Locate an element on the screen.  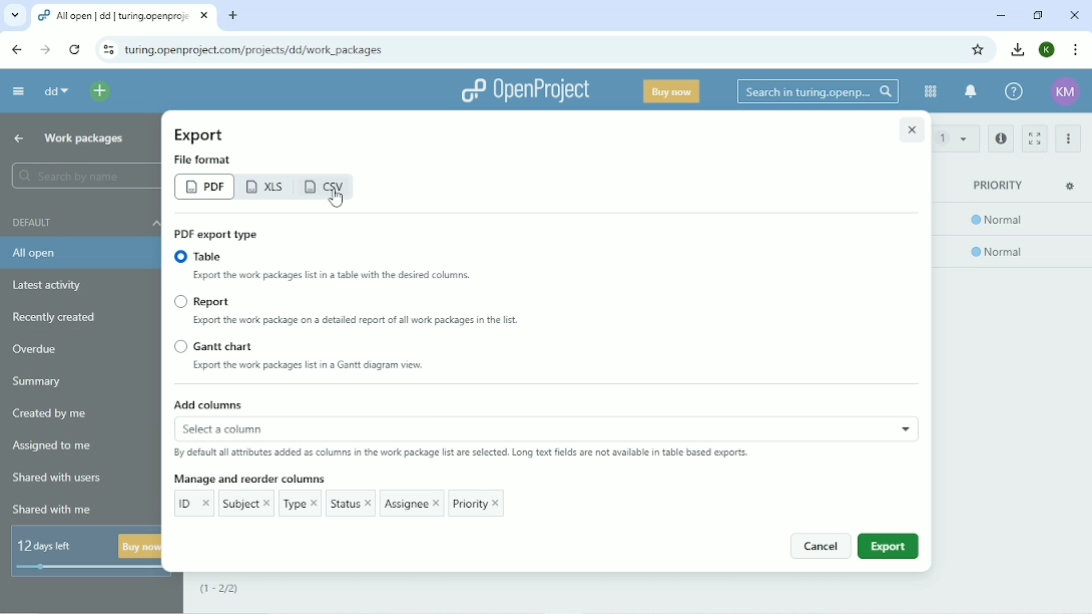
Open details view is located at coordinates (1002, 139).